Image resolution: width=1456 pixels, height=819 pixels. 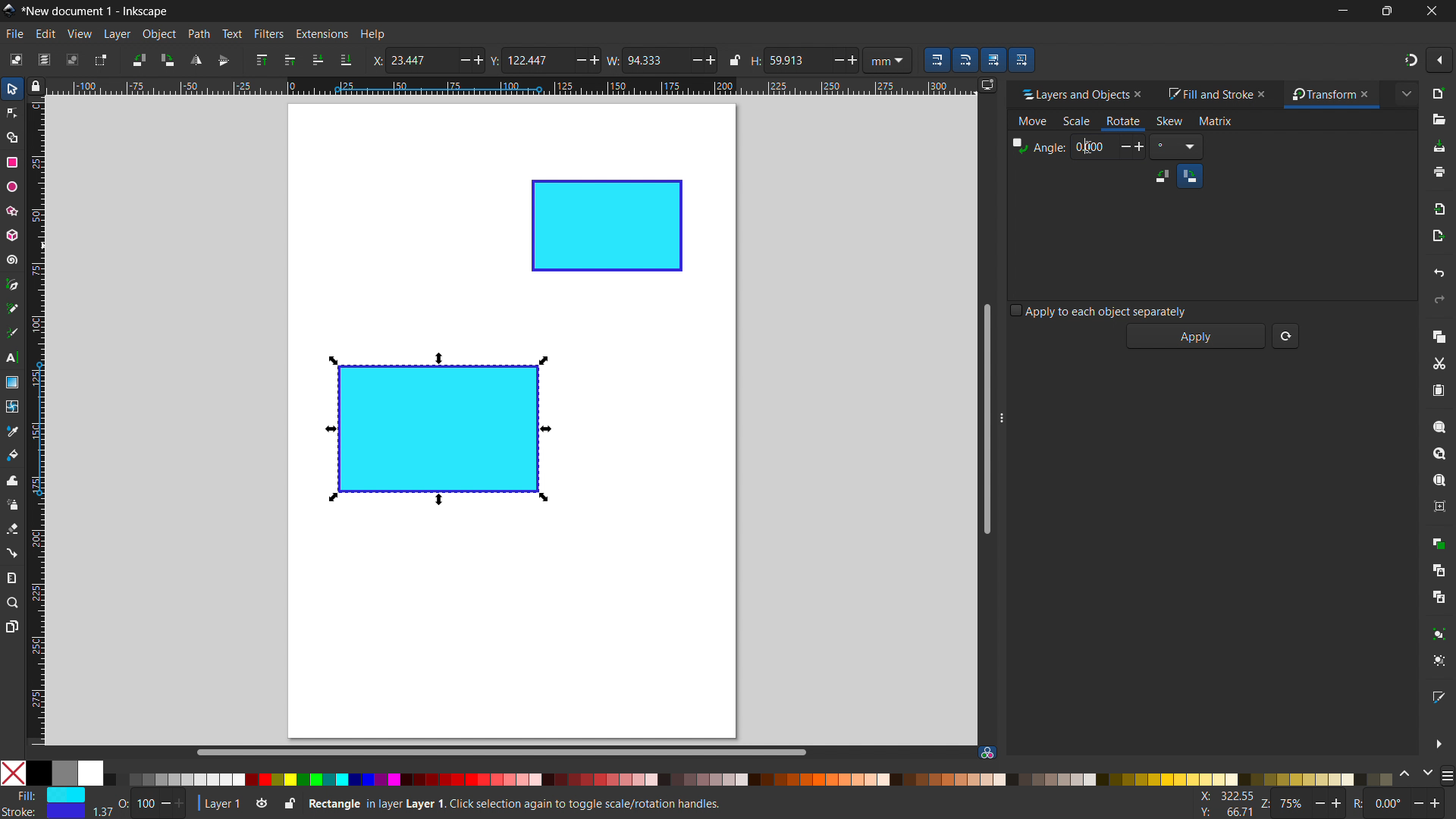 What do you see at coordinates (44, 812) in the screenshot?
I see `Stroke` at bounding box center [44, 812].